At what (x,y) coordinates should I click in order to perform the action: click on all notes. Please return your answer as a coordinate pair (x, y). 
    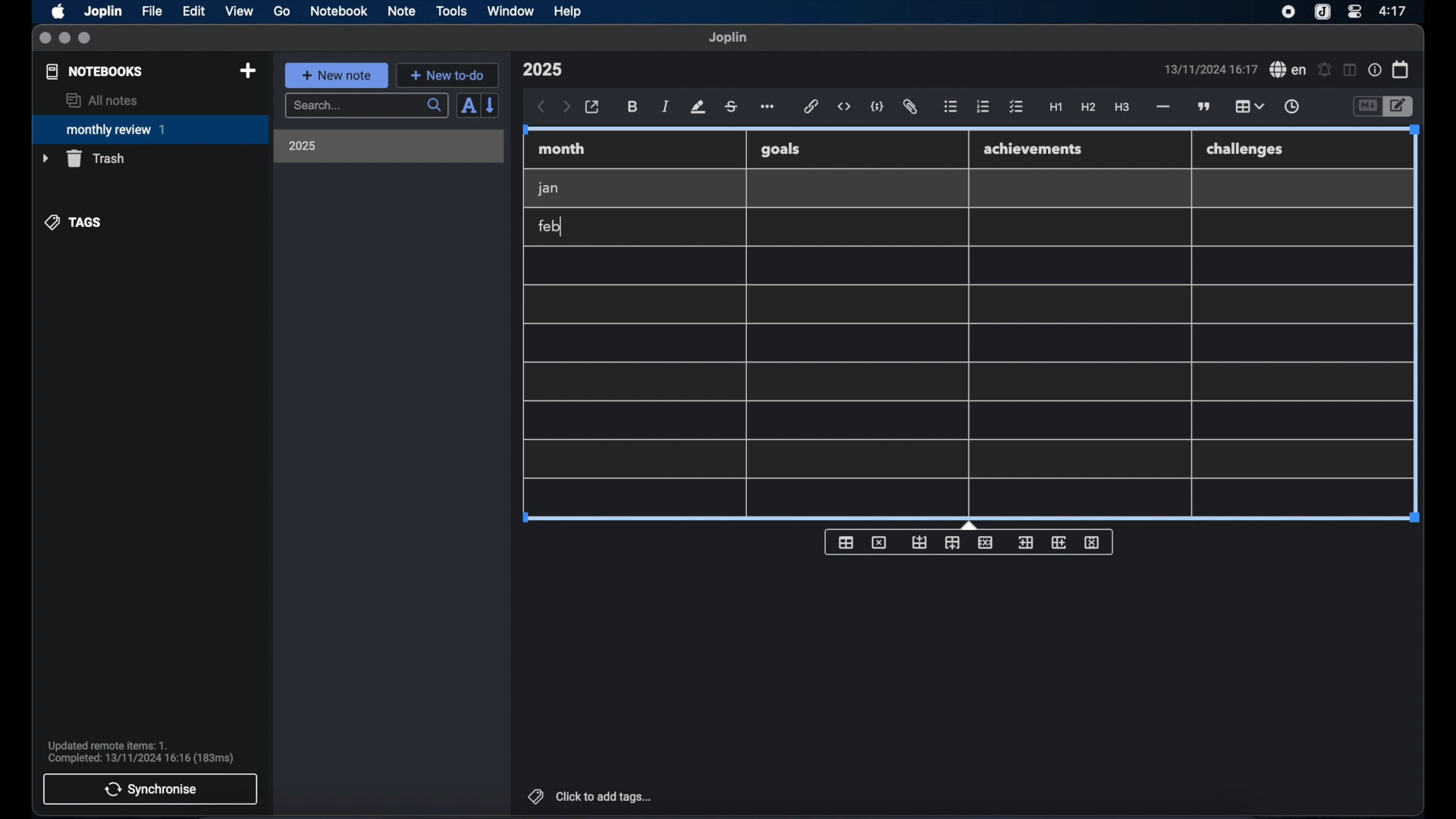
    Looking at the image, I should click on (102, 100).